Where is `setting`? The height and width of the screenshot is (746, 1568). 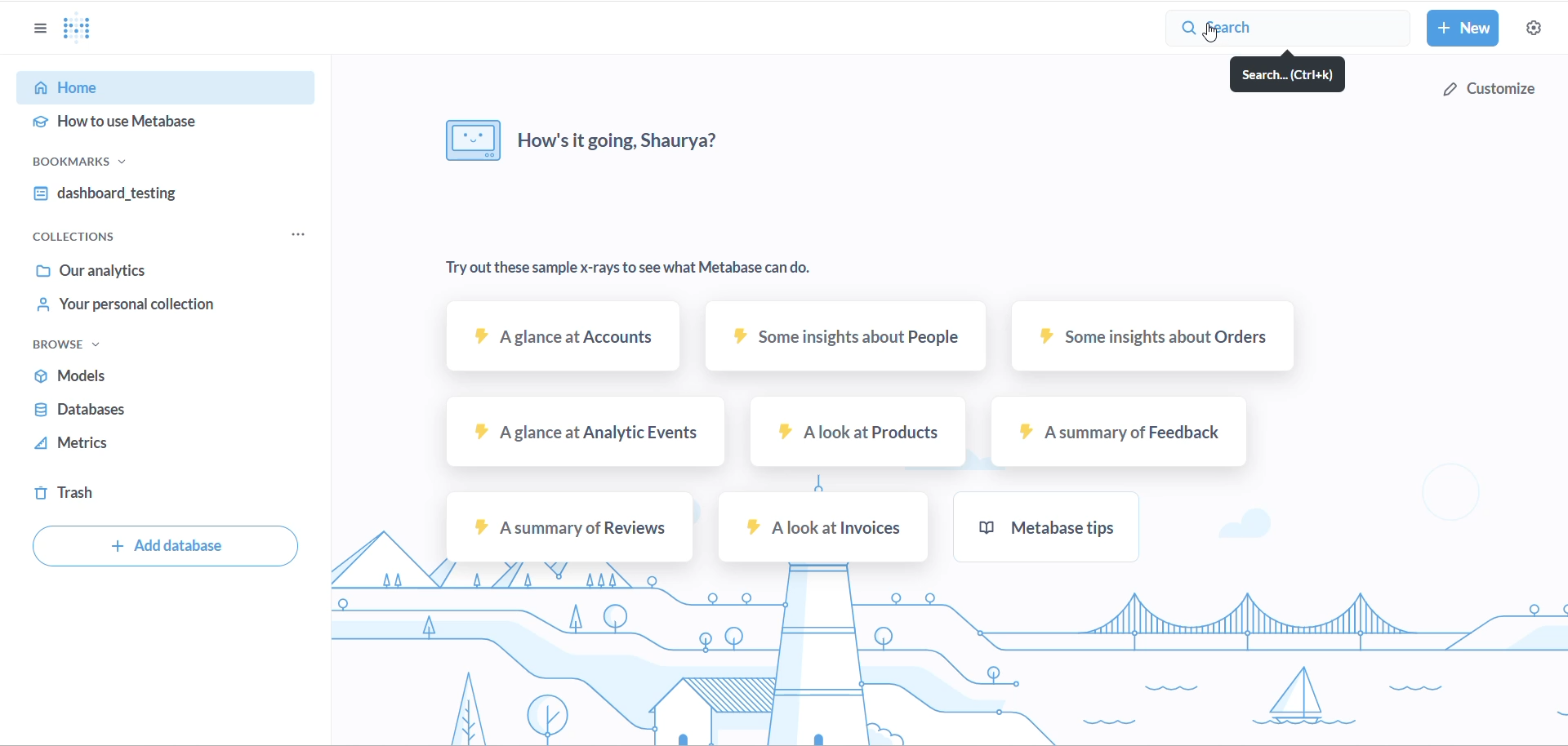 setting is located at coordinates (1533, 29).